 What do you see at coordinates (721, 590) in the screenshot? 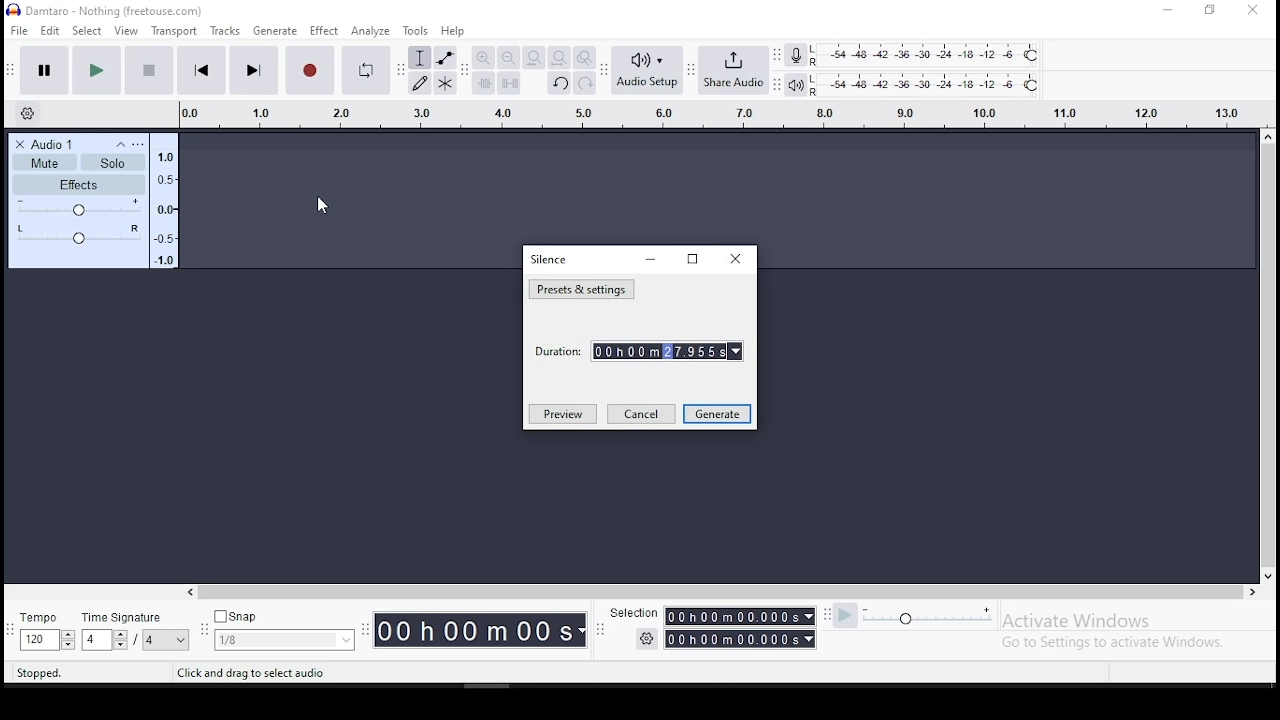
I see `scroll bar` at bounding box center [721, 590].